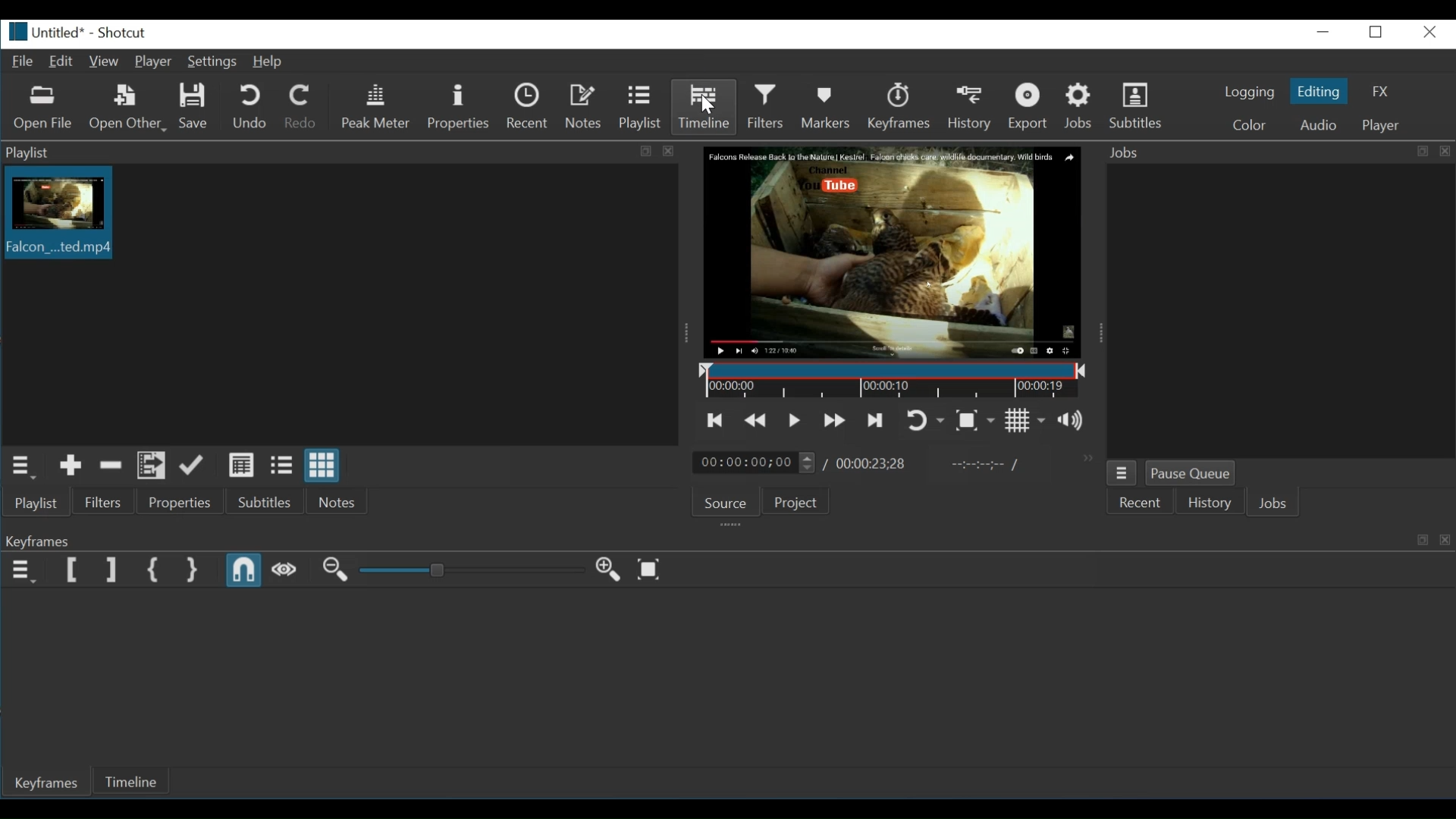 This screenshot has width=1456, height=819. I want to click on Peak Meter, so click(378, 106).